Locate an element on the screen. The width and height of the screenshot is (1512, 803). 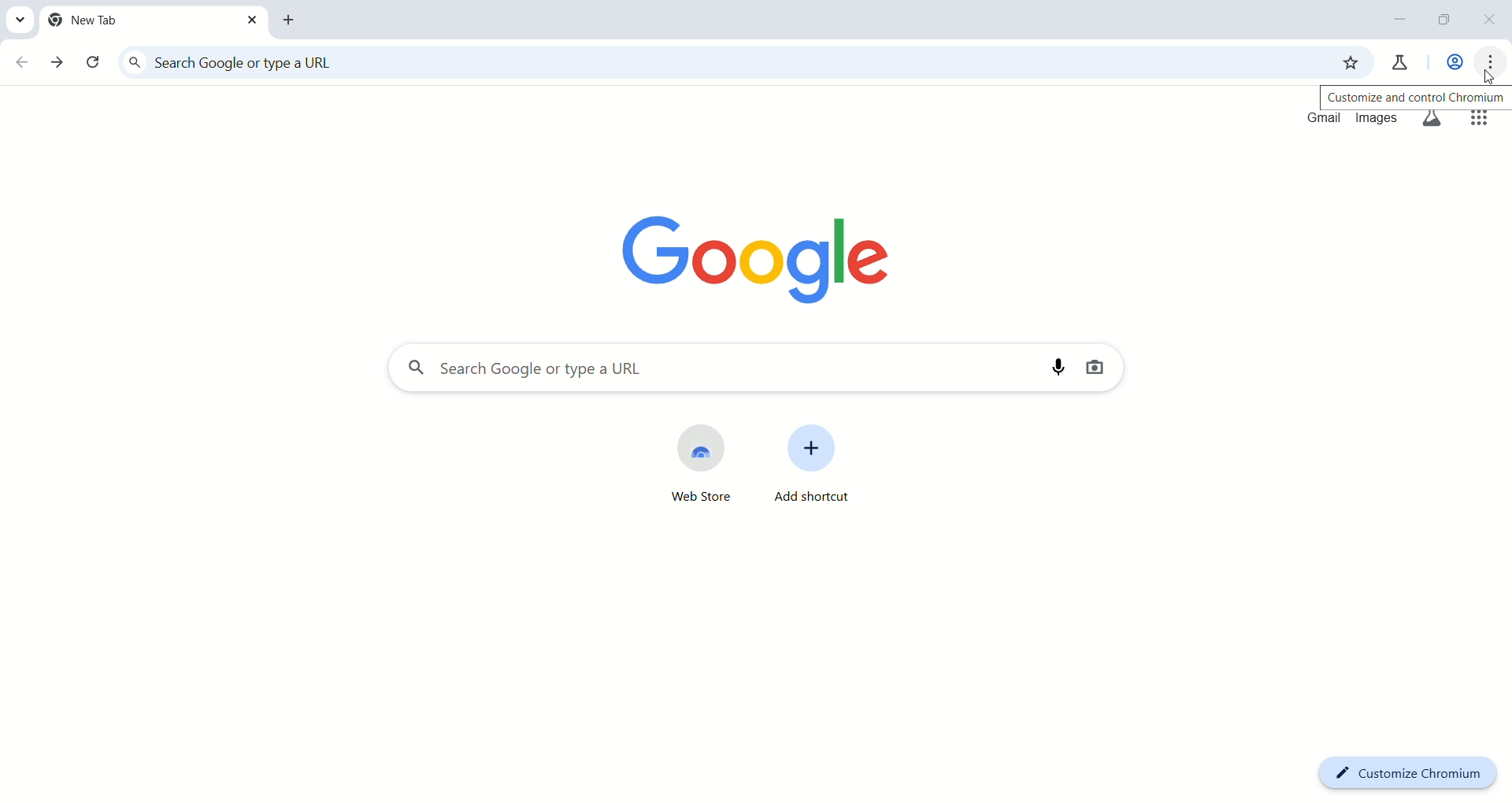
maximize is located at coordinates (1447, 22).